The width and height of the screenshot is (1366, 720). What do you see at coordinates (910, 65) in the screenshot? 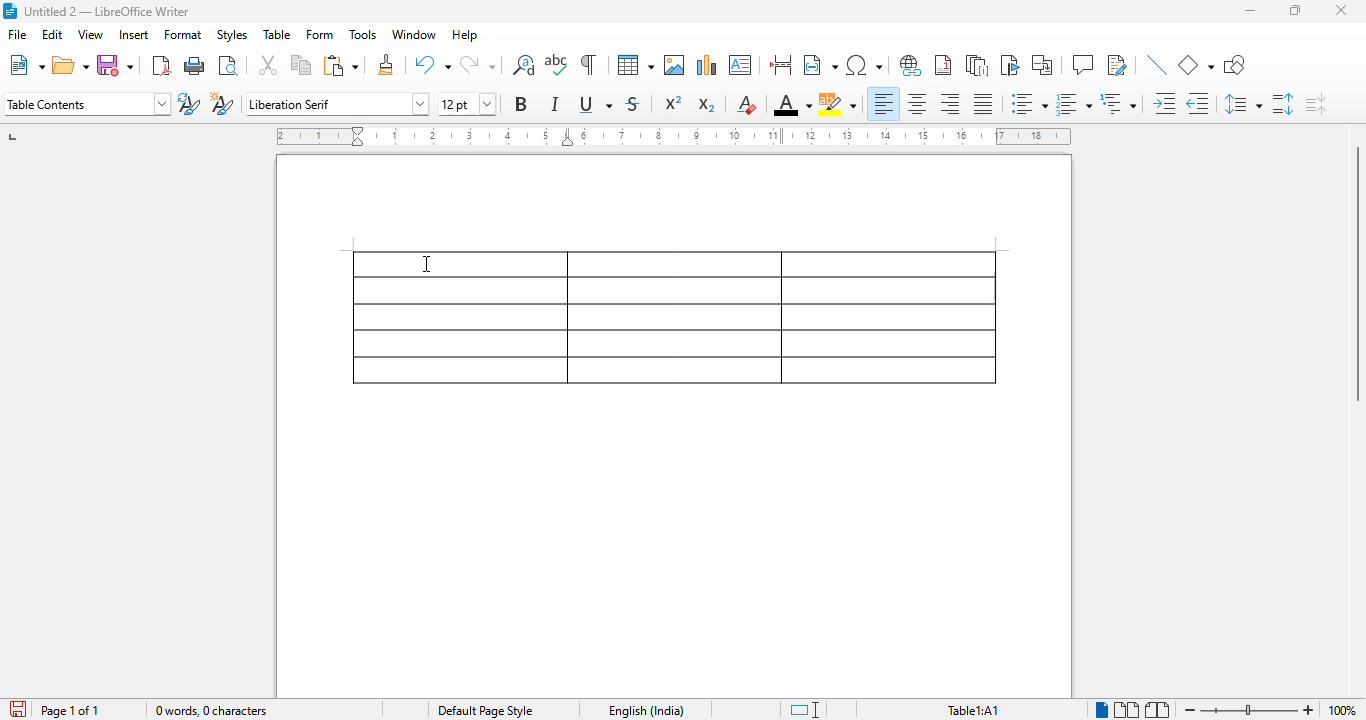
I see `insert hyperlink` at bounding box center [910, 65].